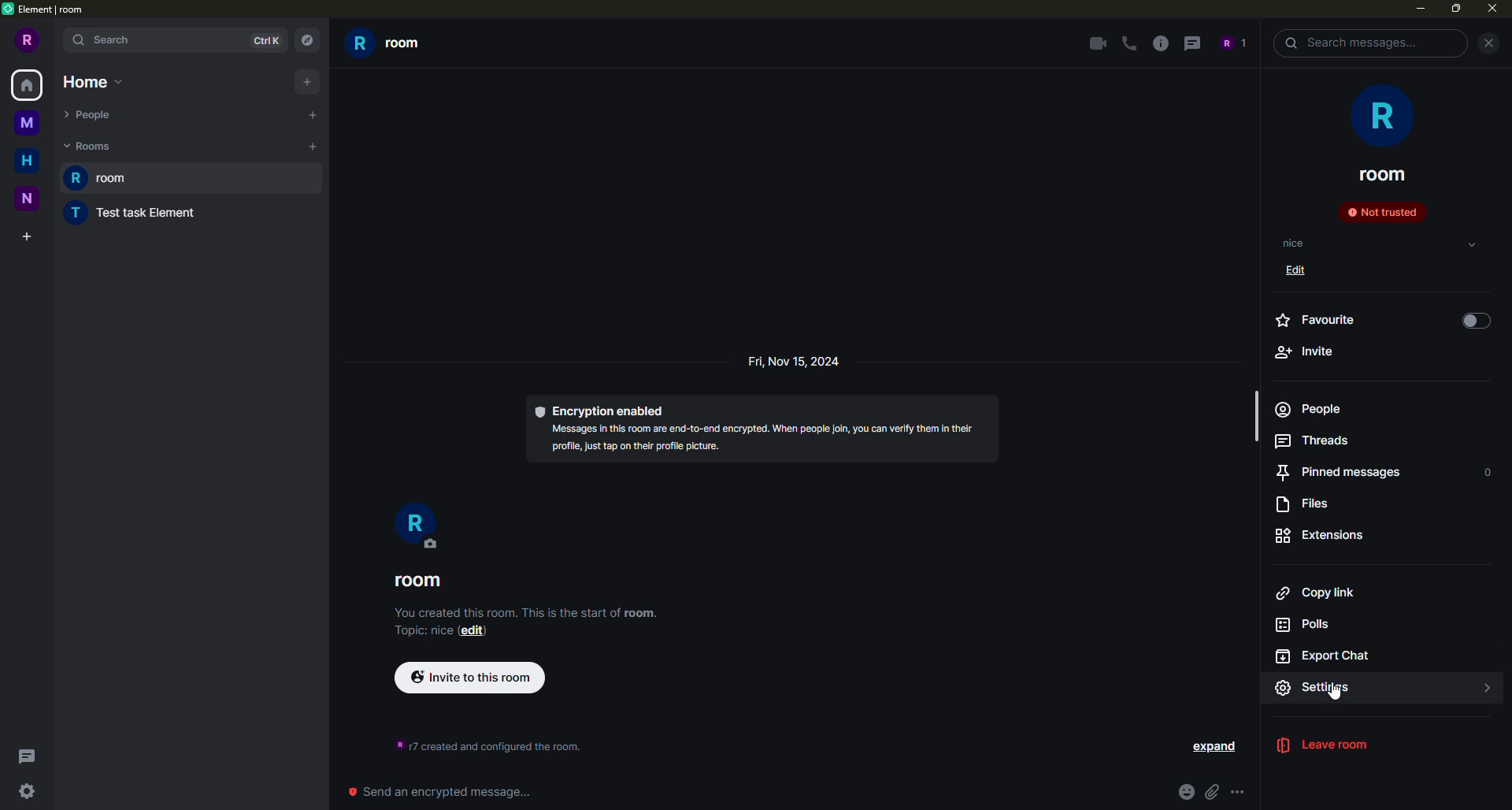 The image size is (1512, 810). I want to click on start a chat, so click(309, 115).